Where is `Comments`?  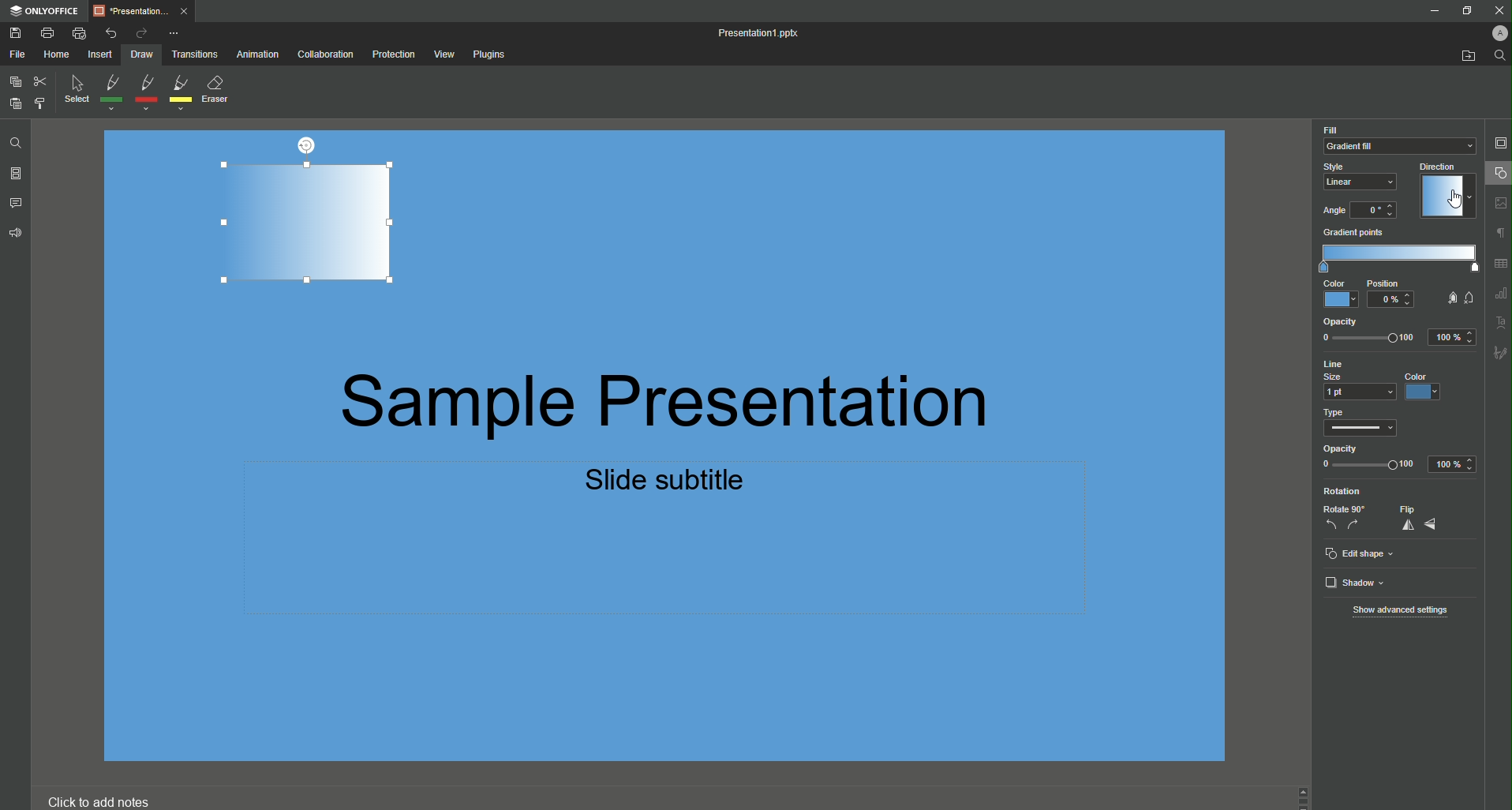
Comments is located at coordinates (18, 202).